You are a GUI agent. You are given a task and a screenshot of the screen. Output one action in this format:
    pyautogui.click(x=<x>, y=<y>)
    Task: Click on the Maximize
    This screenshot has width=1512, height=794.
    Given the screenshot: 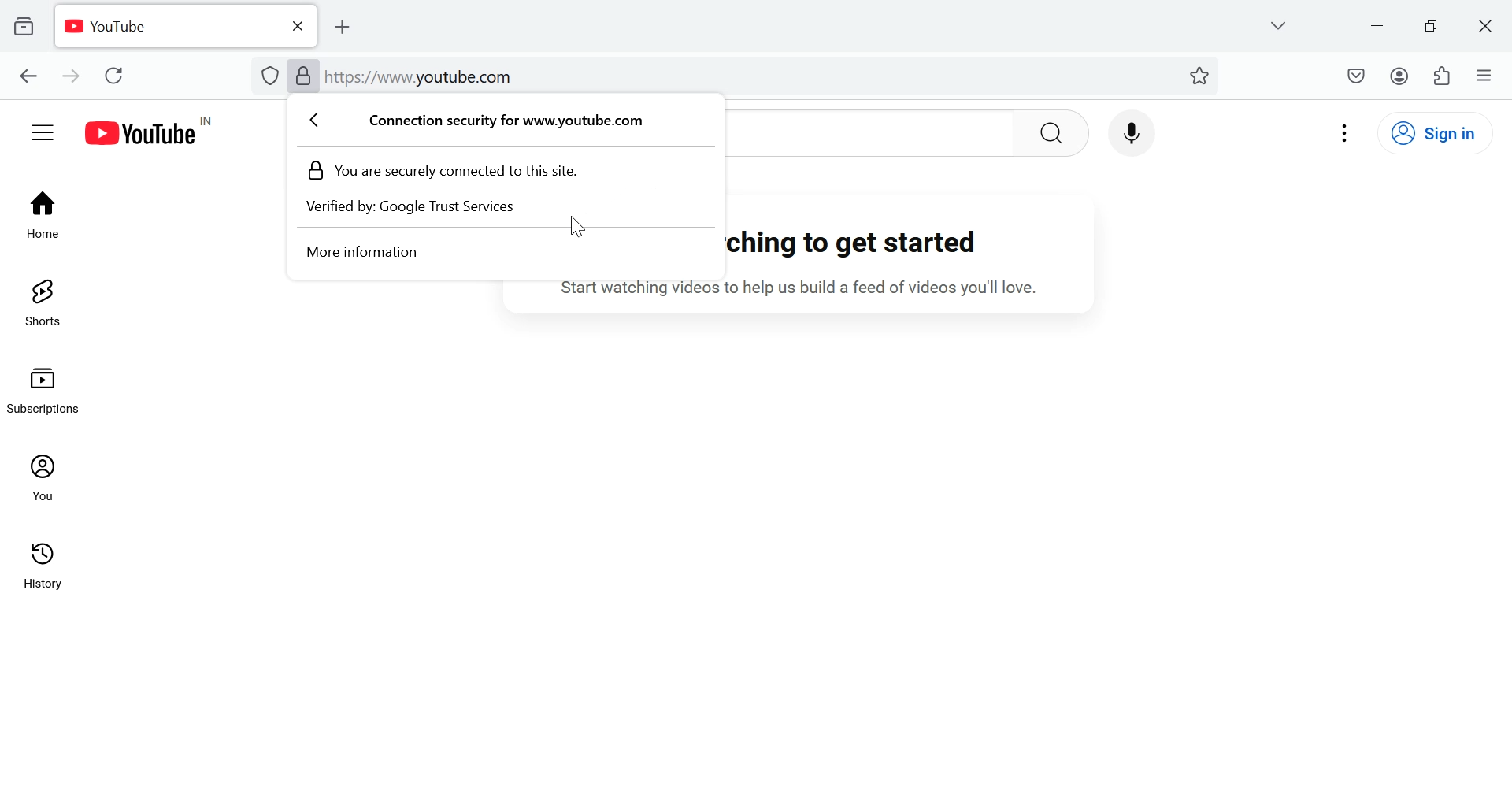 What is the action you would take?
    pyautogui.click(x=1434, y=25)
    